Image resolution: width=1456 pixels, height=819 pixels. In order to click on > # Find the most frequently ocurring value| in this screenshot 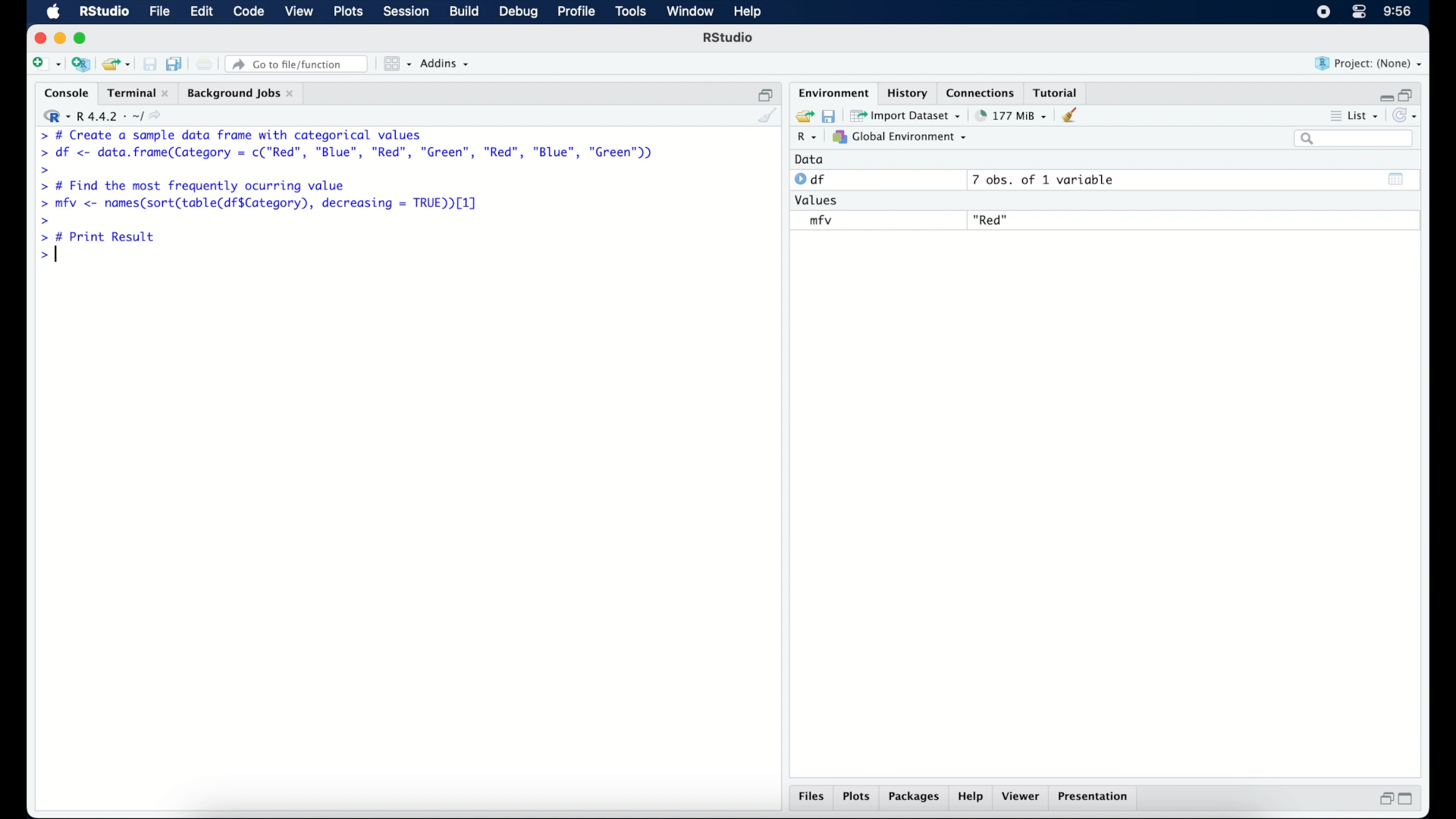, I will do `click(202, 187)`.